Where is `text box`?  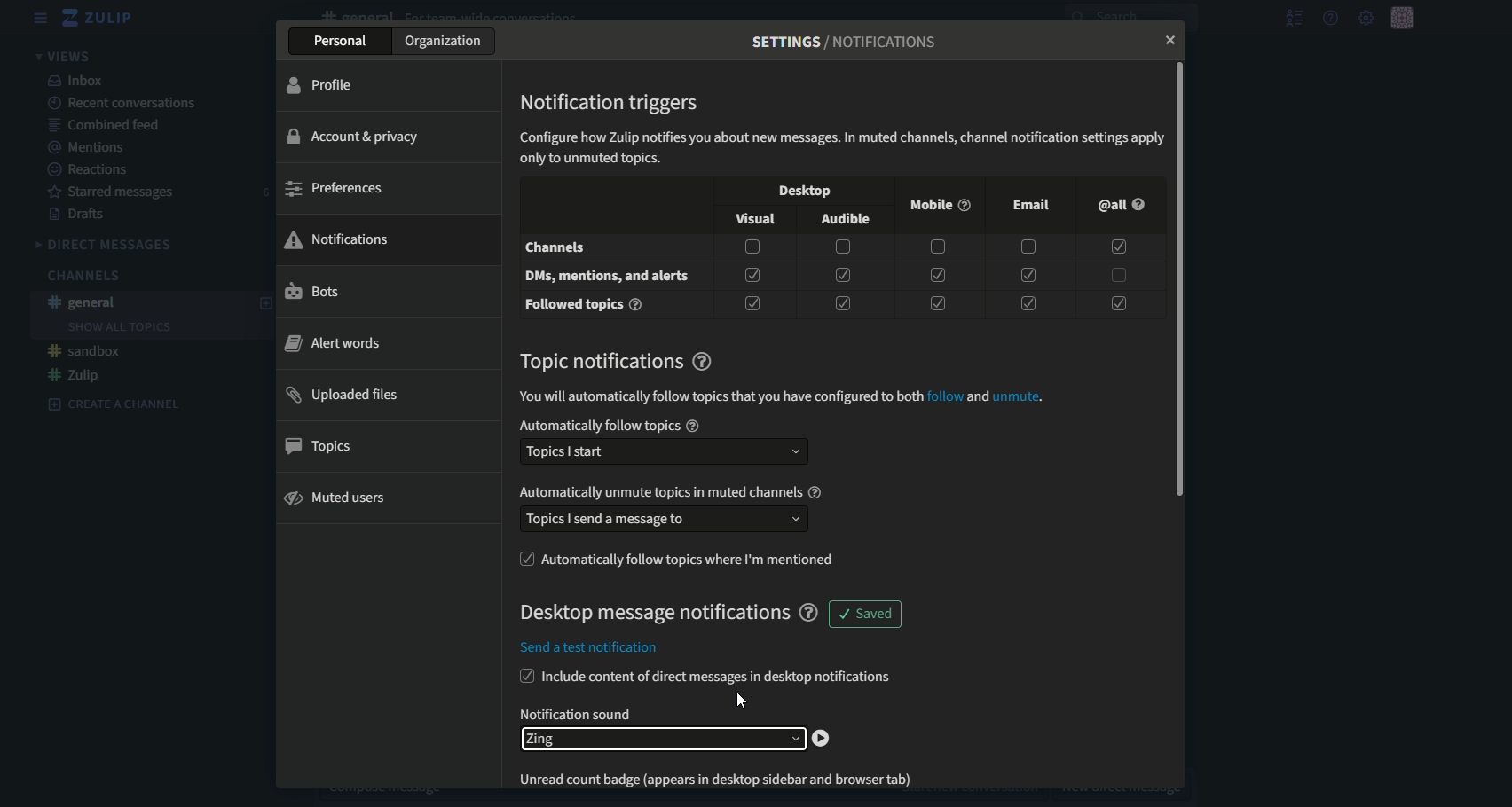 text box is located at coordinates (663, 452).